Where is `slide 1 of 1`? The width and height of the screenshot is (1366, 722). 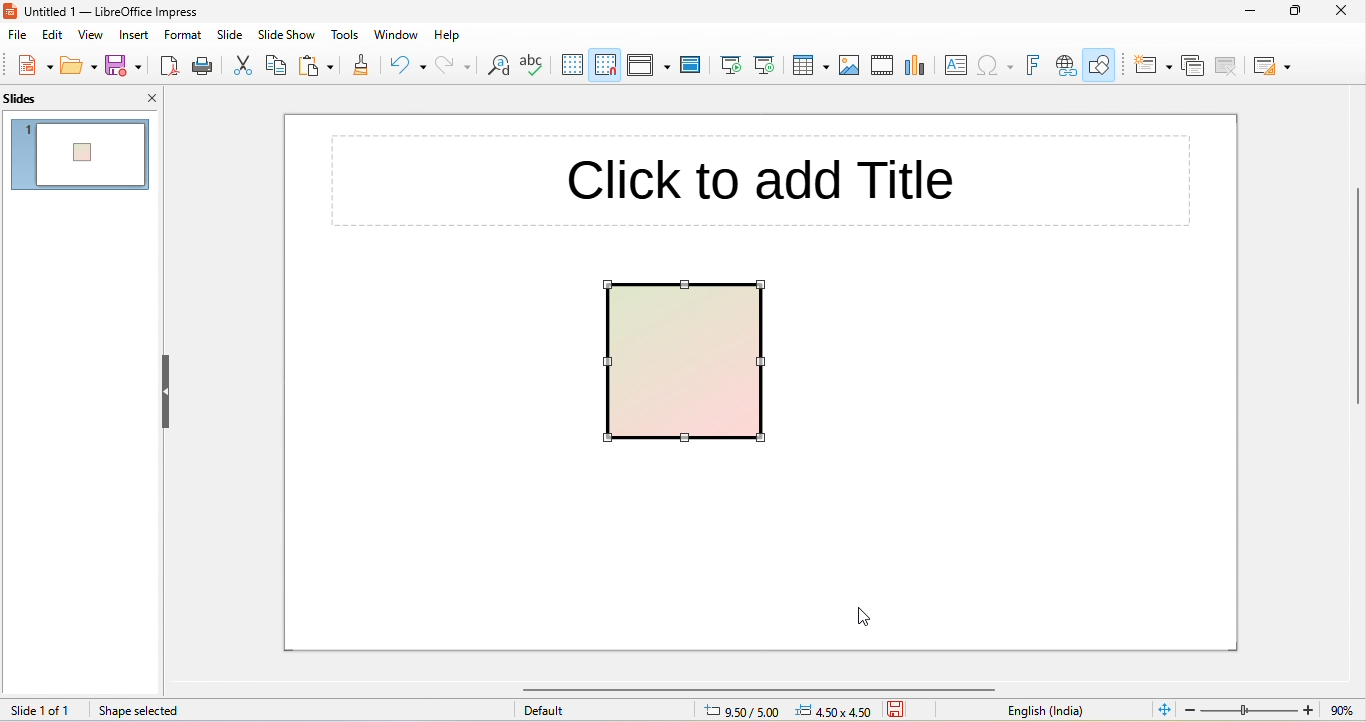
slide 1 of 1 is located at coordinates (43, 711).